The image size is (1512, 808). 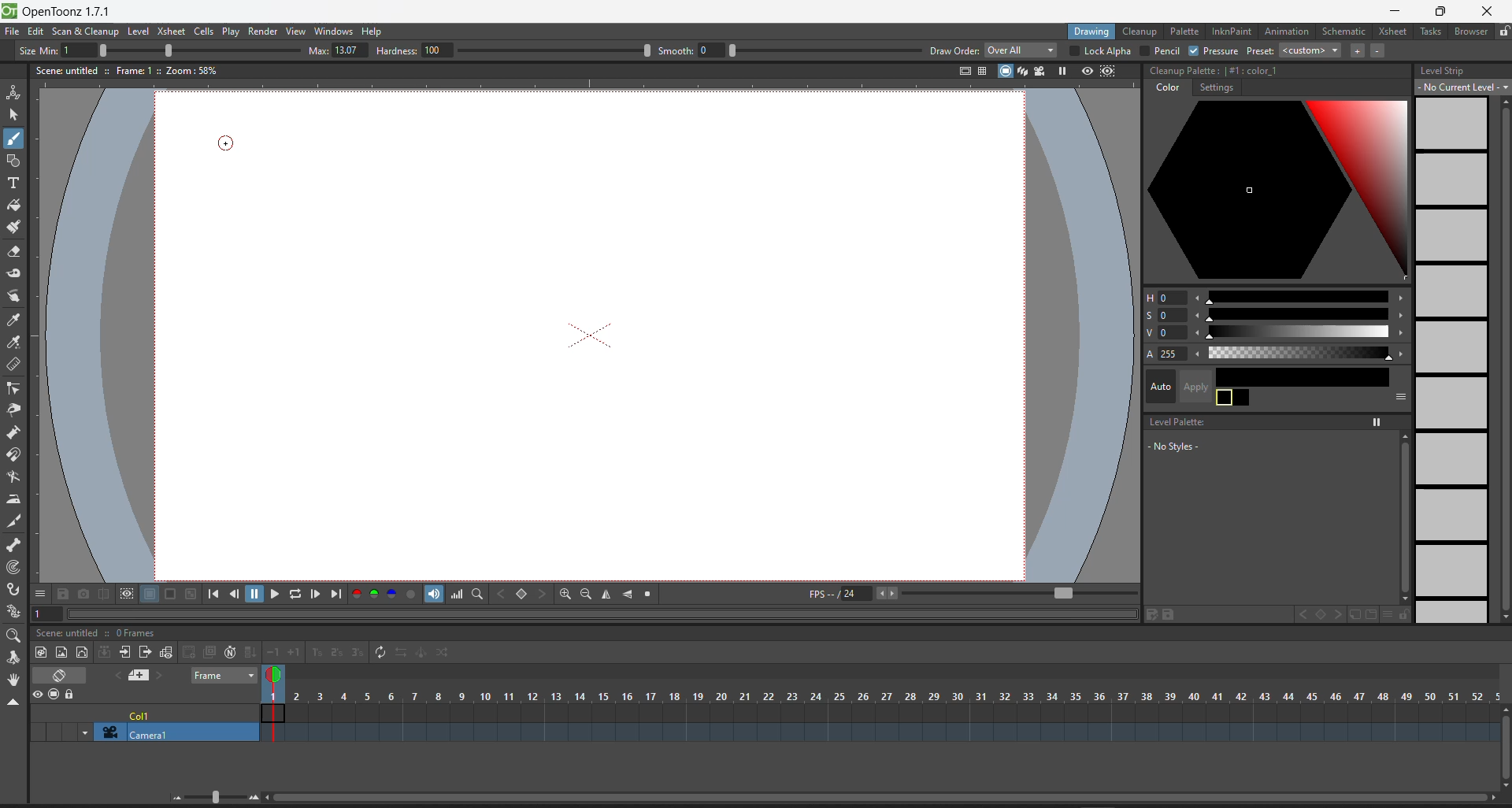 I want to click on slider, so click(x=1297, y=315).